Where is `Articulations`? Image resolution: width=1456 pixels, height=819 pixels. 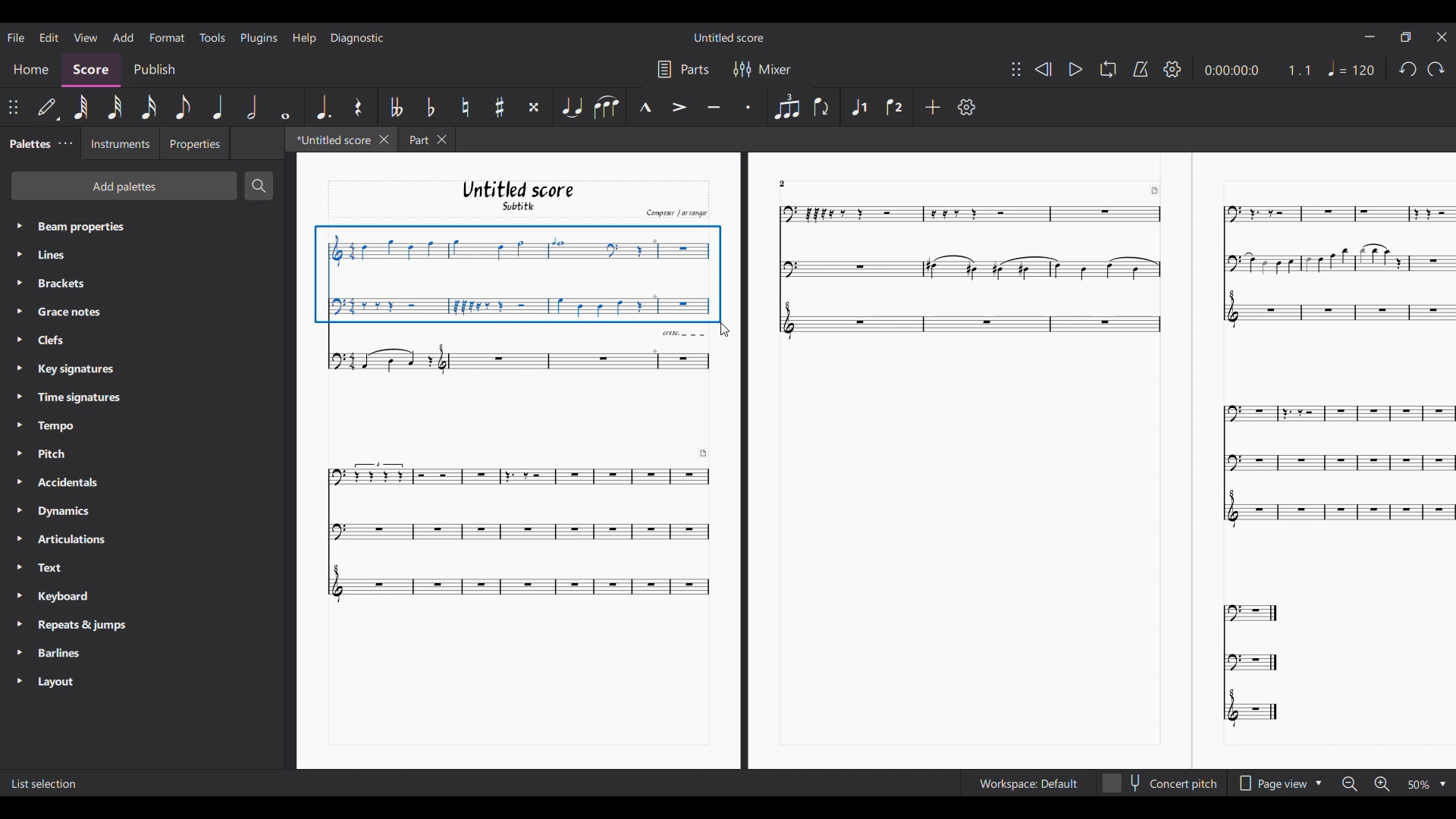
Articulations is located at coordinates (76, 538).